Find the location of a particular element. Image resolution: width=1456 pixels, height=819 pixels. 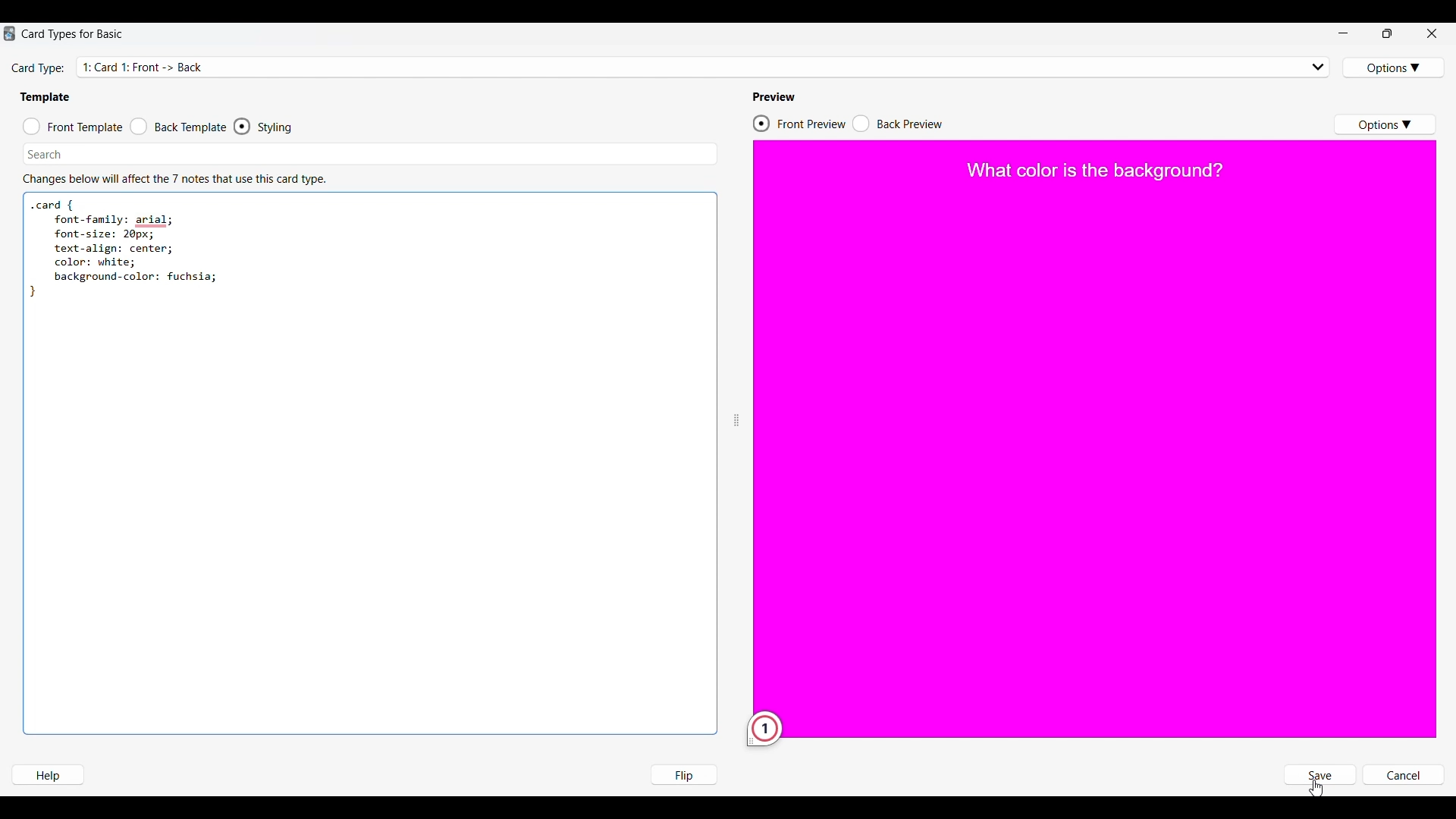

Indicates card type setting is located at coordinates (39, 69).